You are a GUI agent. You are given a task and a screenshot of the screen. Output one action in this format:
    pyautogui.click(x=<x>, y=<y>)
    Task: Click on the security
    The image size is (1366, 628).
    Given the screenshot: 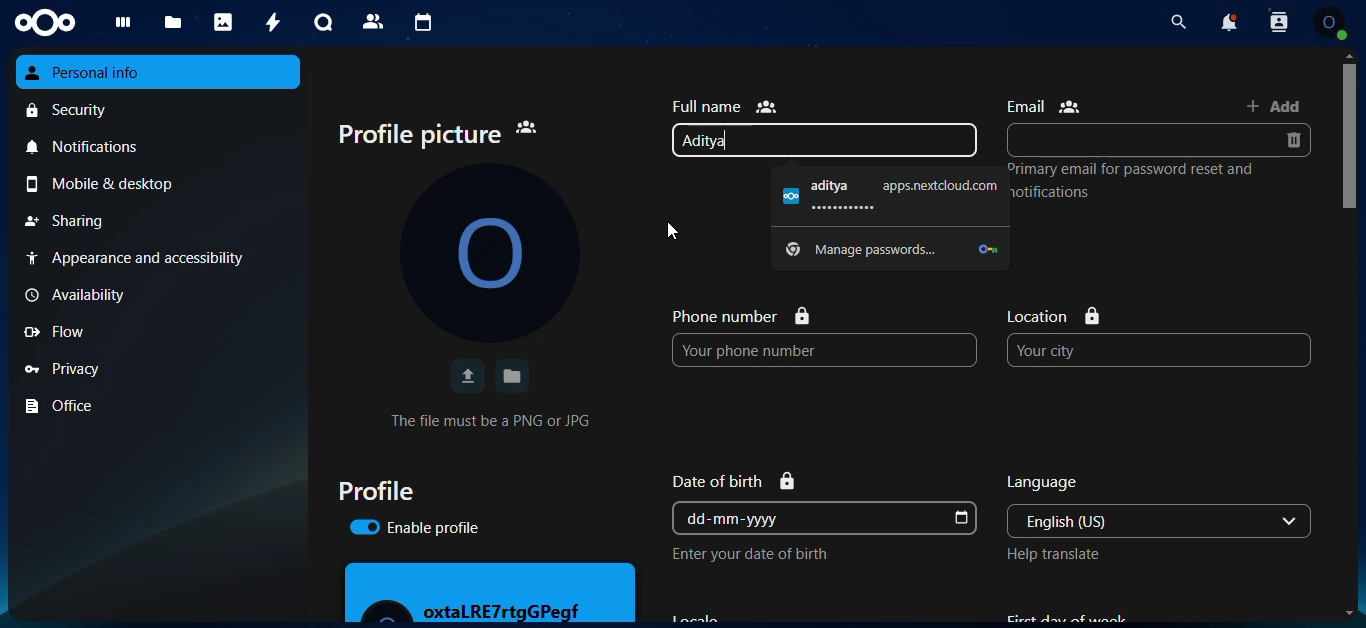 What is the action you would take?
    pyautogui.click(x=161, y=109)
    